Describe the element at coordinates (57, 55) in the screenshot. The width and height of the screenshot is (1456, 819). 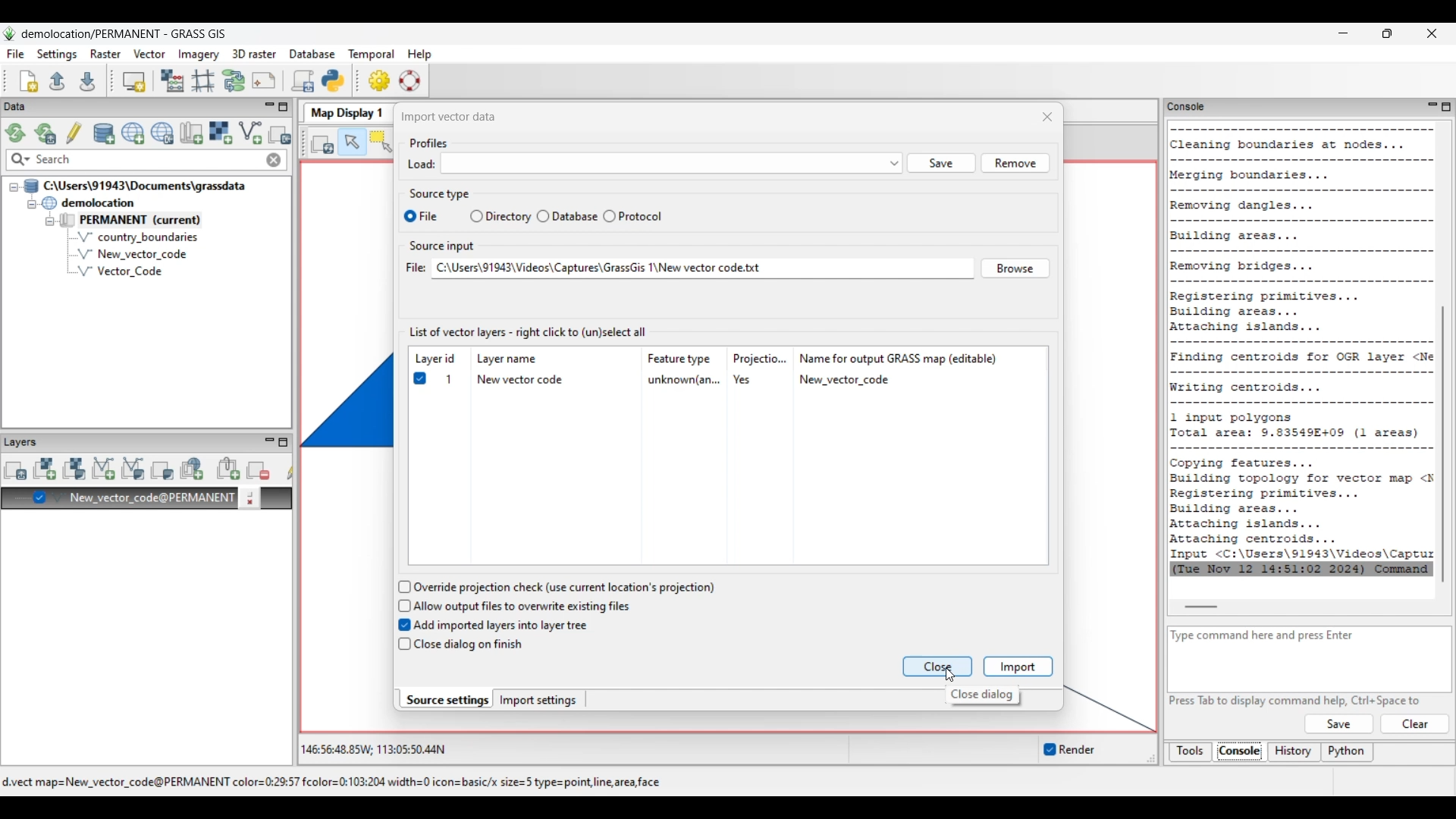
I see `Settings menu` at that location.